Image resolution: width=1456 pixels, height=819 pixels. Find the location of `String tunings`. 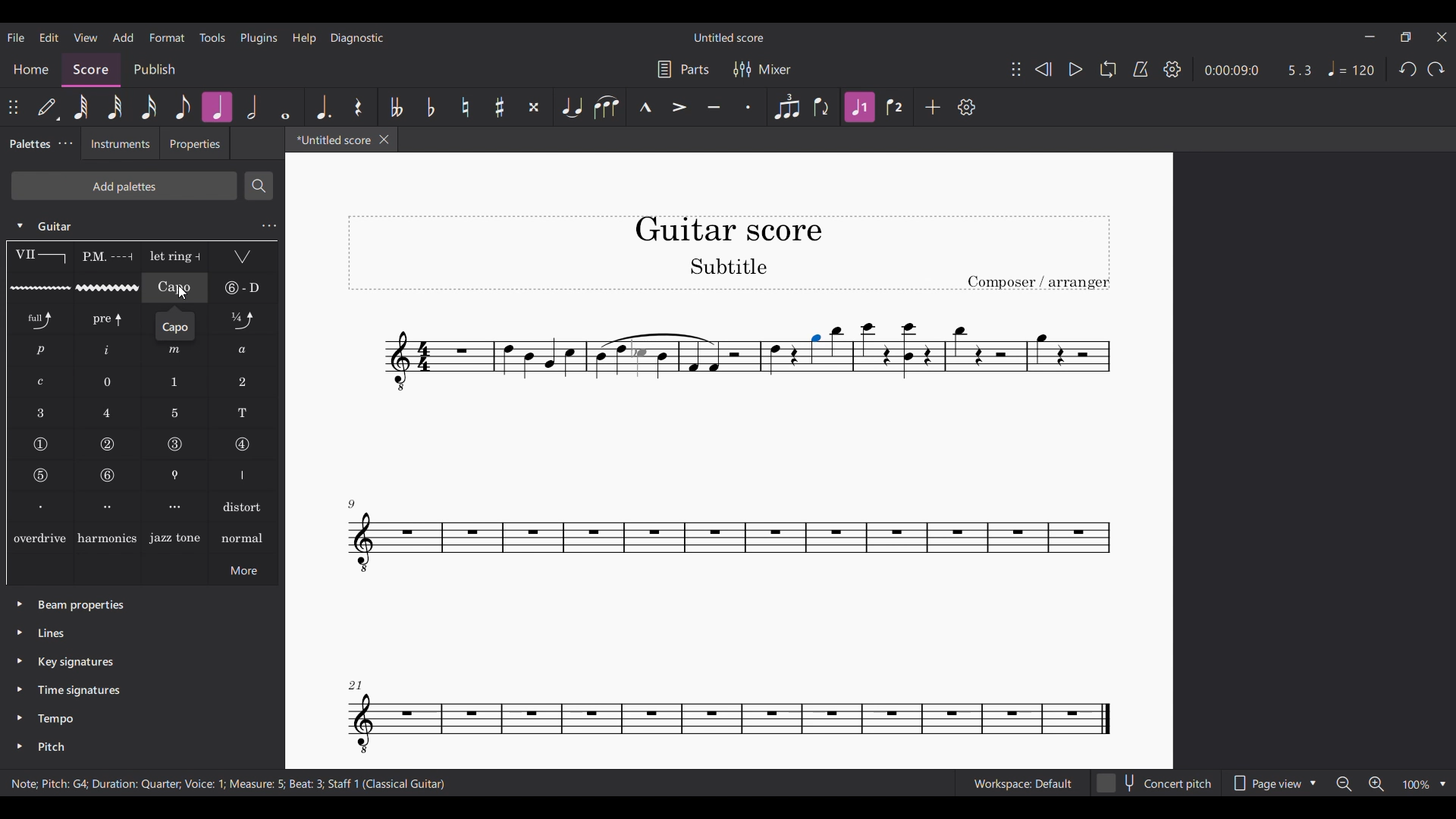

String tunings is located at coordinates (243, 287).